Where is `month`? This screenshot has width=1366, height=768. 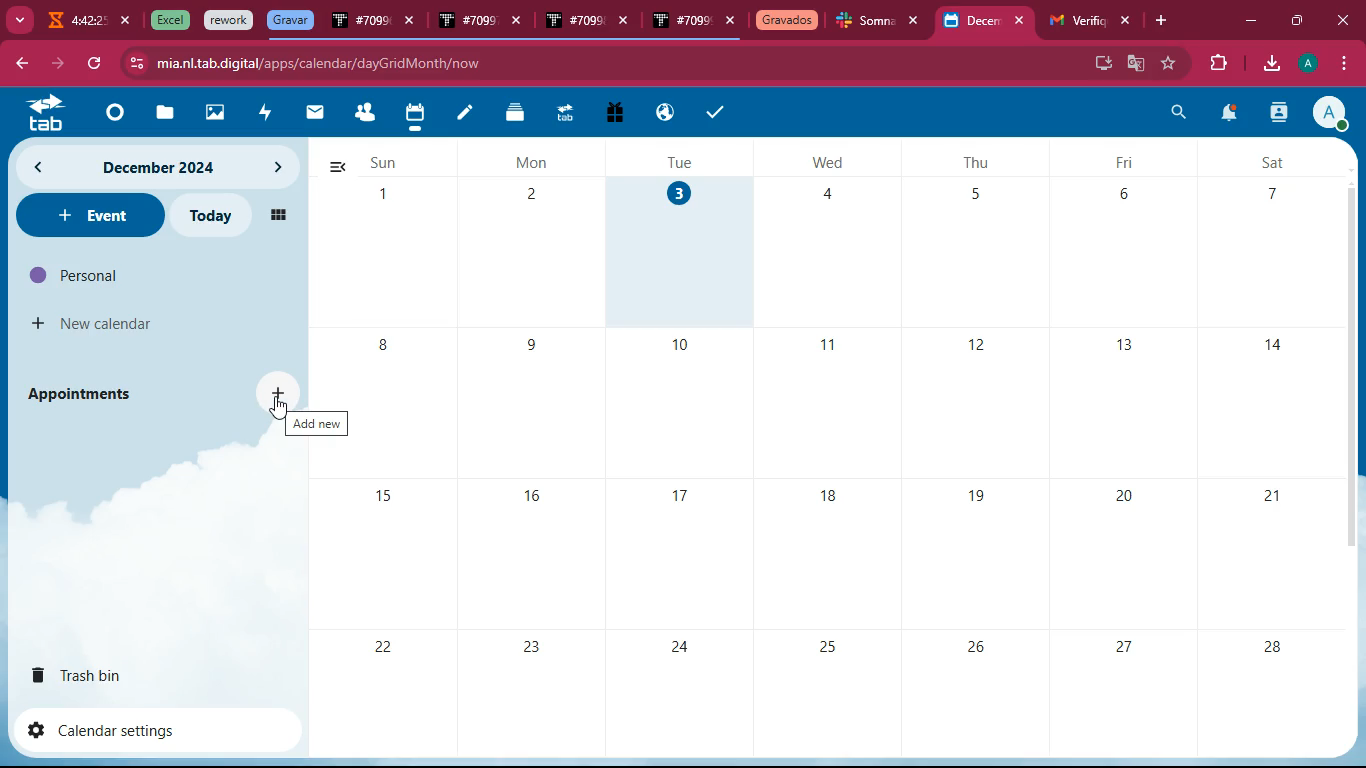
month is located at coordinates (153, 167).